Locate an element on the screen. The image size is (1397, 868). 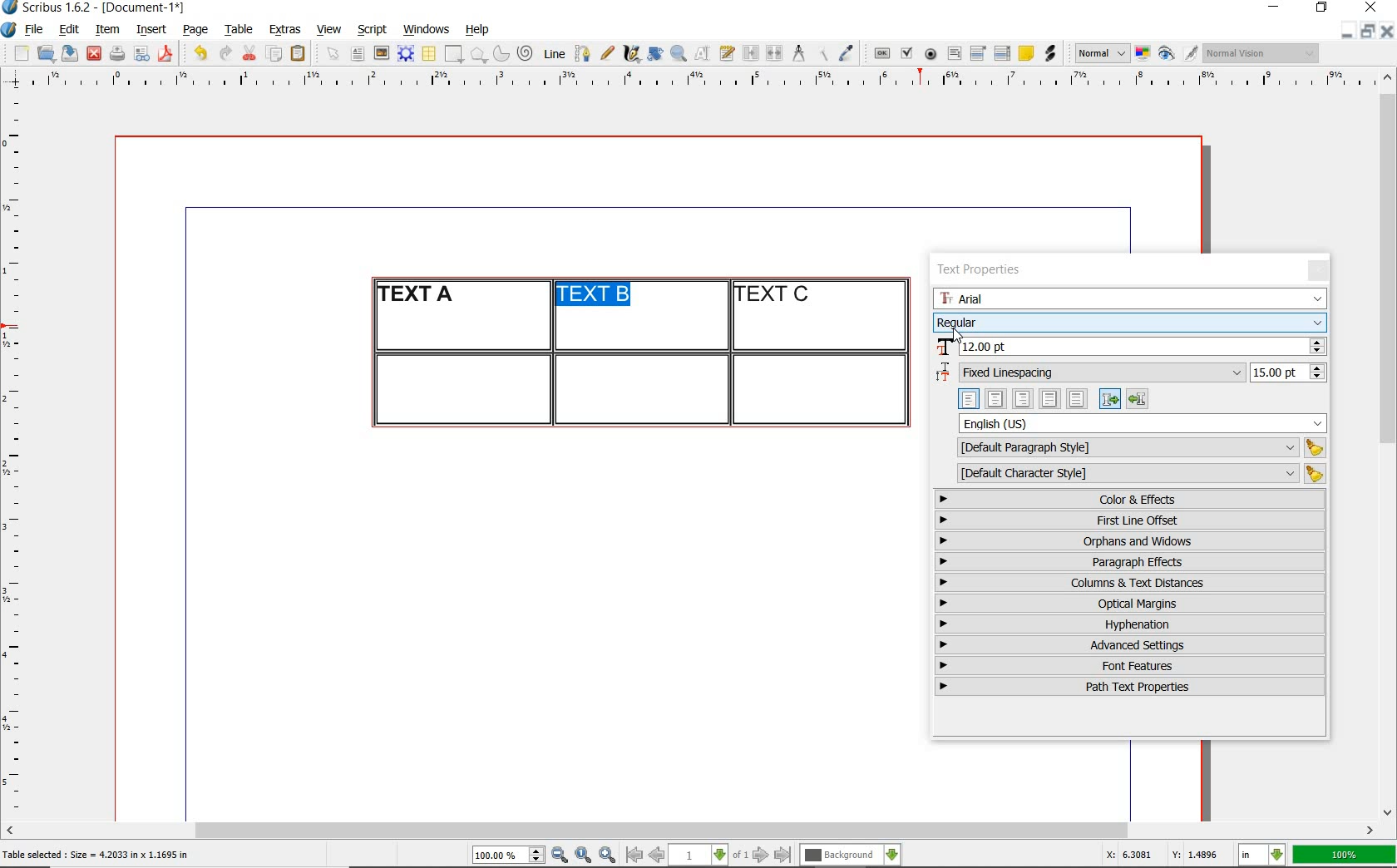
extras is located at coordinates (285, 31).